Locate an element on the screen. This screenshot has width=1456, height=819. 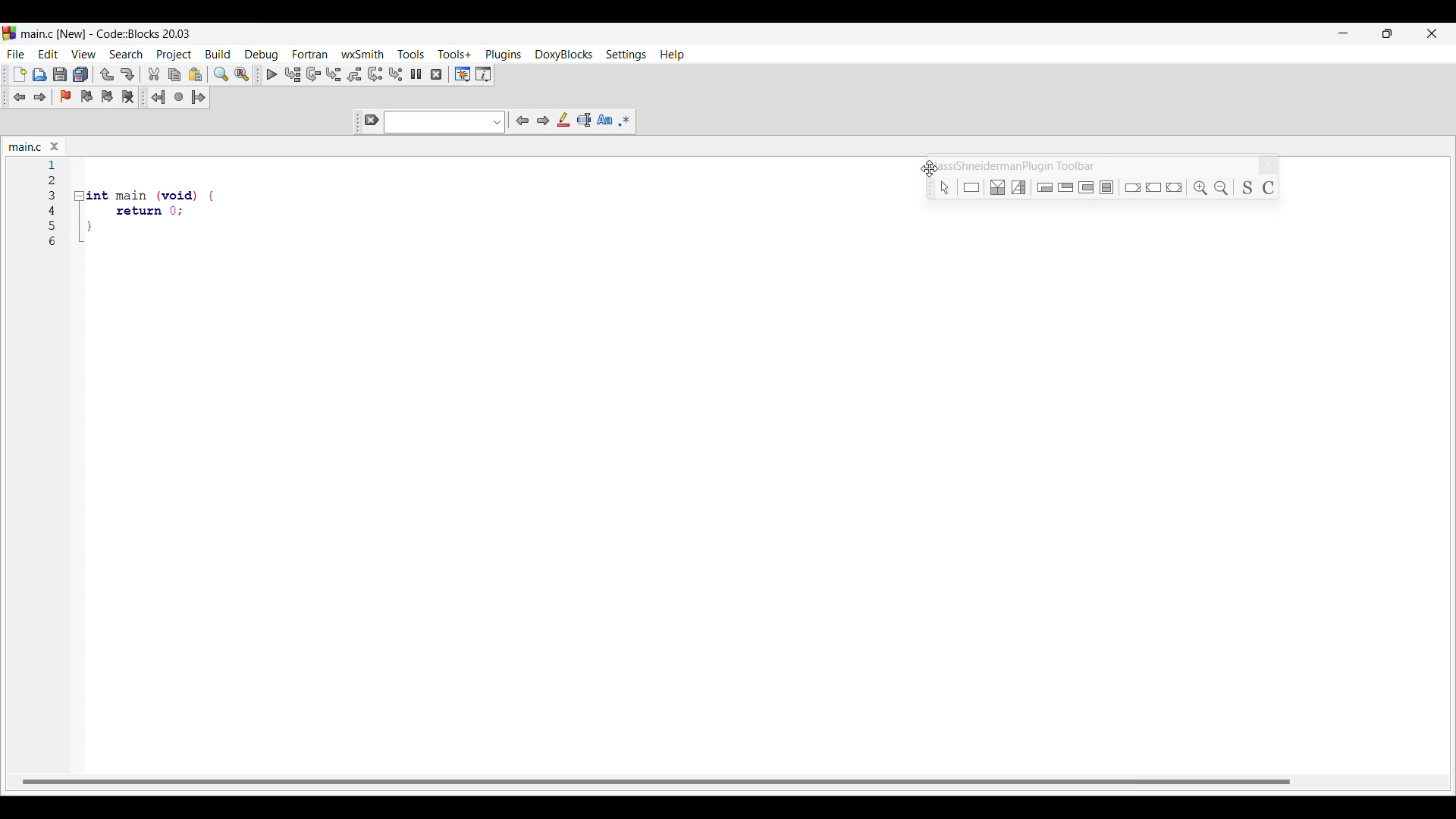
Next line is located at coordinates (313, 74).